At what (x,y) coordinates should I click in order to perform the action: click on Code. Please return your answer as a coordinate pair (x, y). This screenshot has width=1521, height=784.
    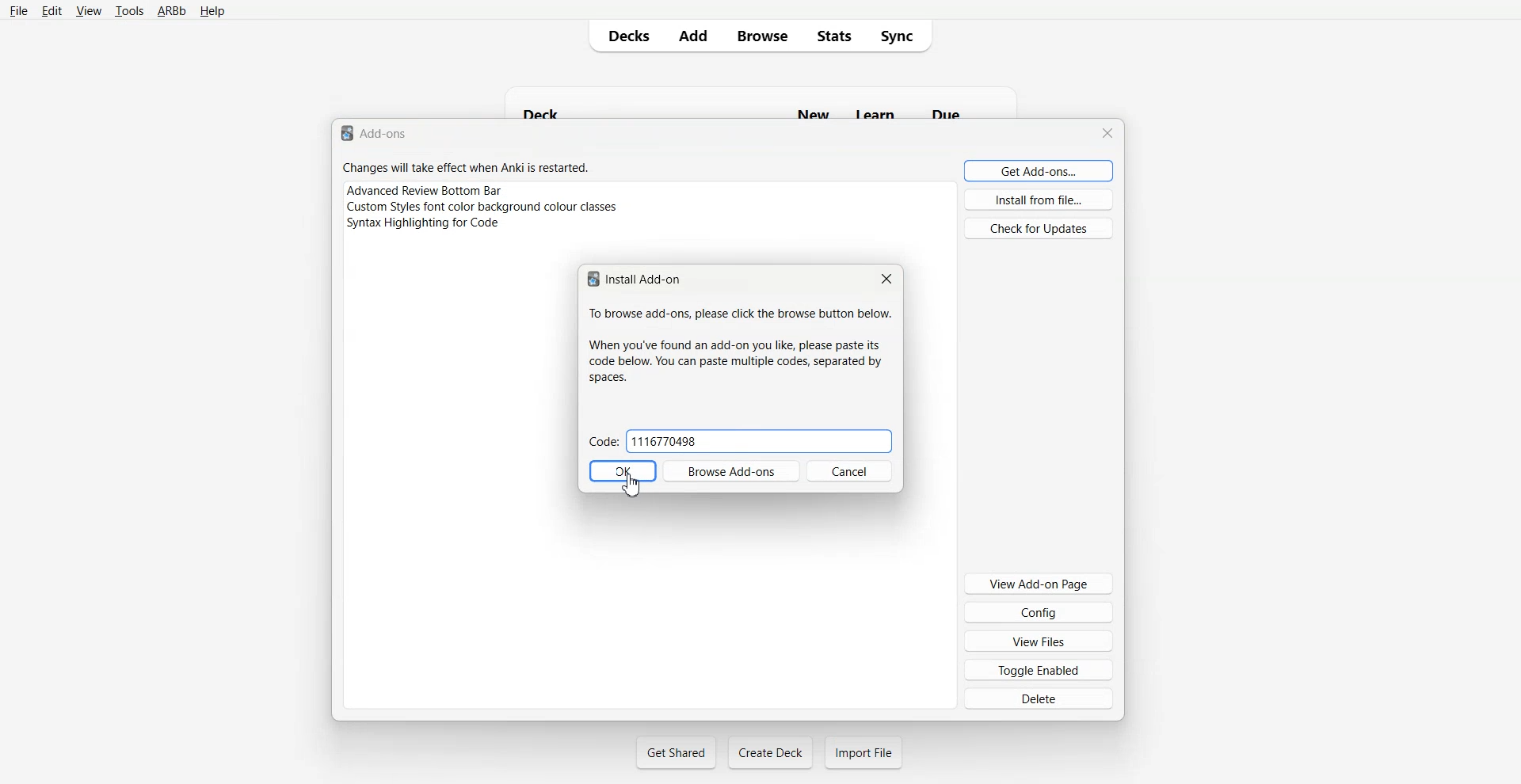
    Looking at the image, I should click on (740, 440).